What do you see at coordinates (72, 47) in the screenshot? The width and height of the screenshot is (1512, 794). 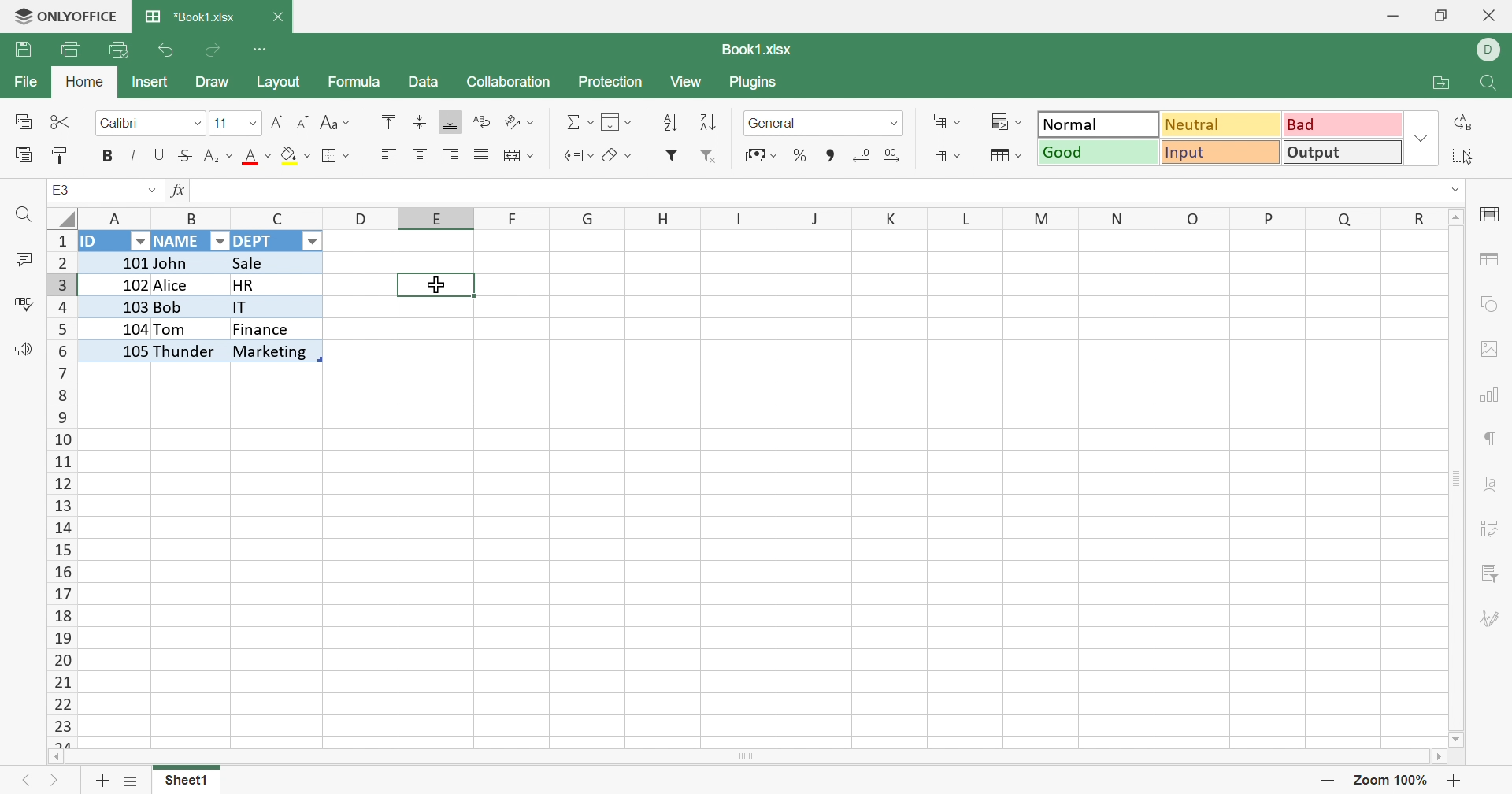 I see `Print` at bounding box center [72, 47].